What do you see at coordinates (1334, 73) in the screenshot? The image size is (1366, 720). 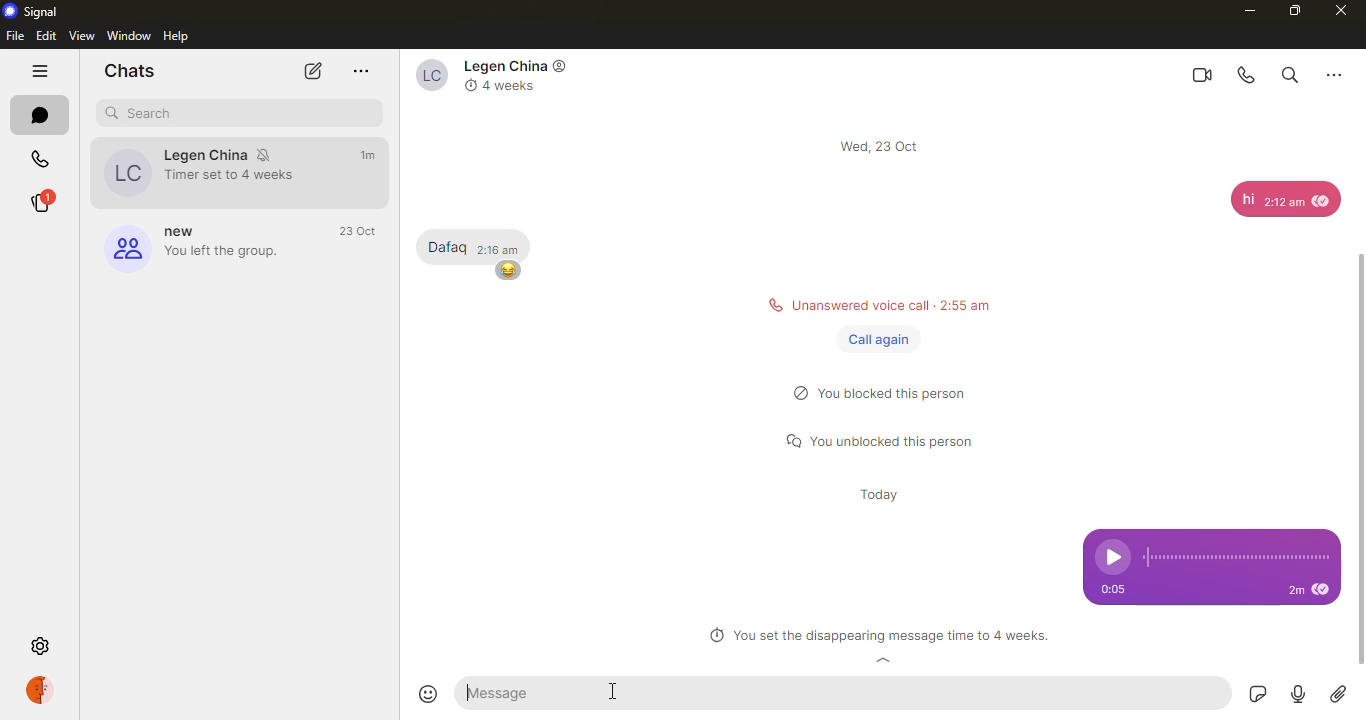 I see `more` at bounding box center [1334, 73].